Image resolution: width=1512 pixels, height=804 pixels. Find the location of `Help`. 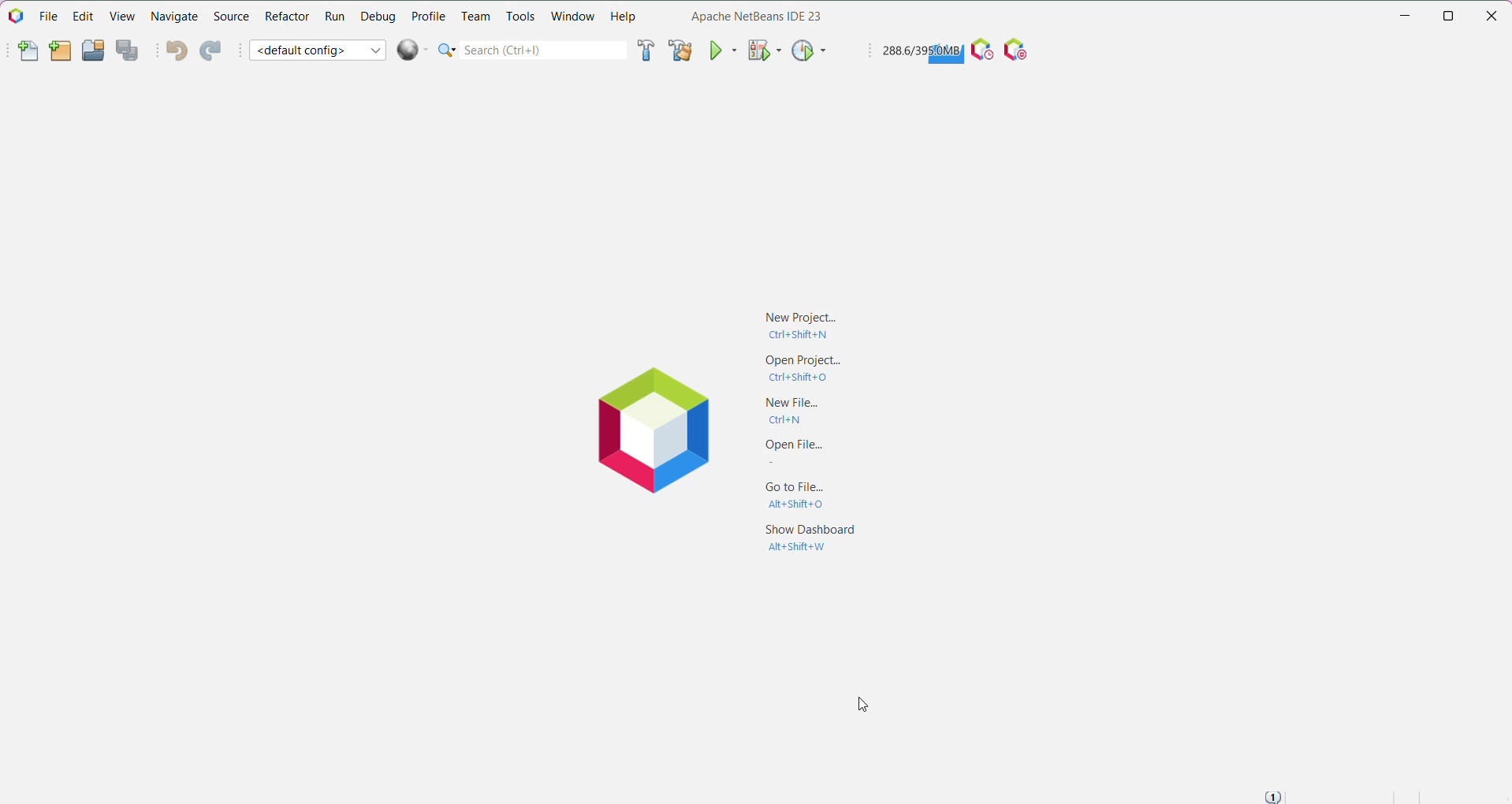

Help is located at coordinates (624, 17).